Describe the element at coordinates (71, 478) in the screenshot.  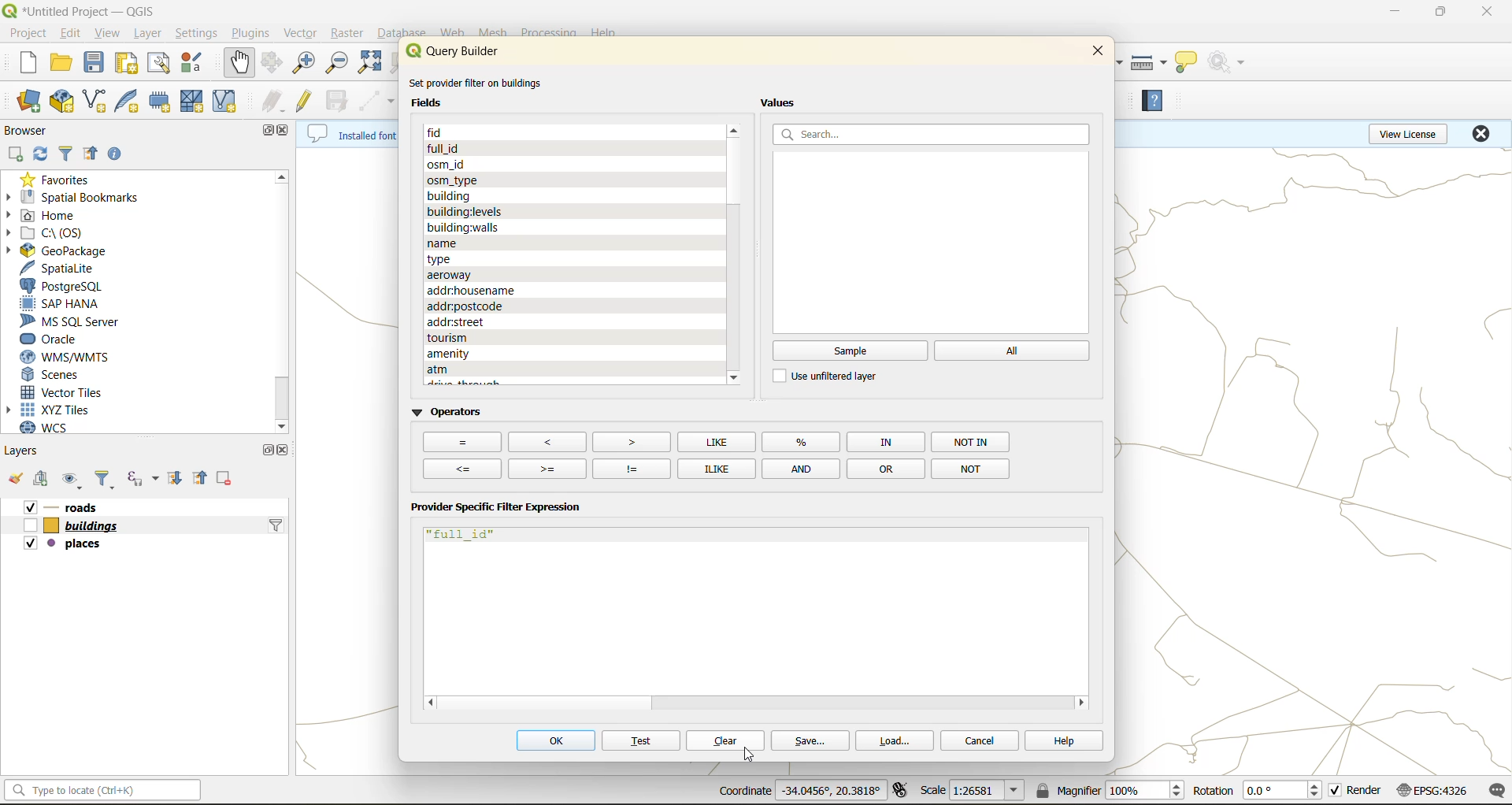
I see `manage map` at that location.